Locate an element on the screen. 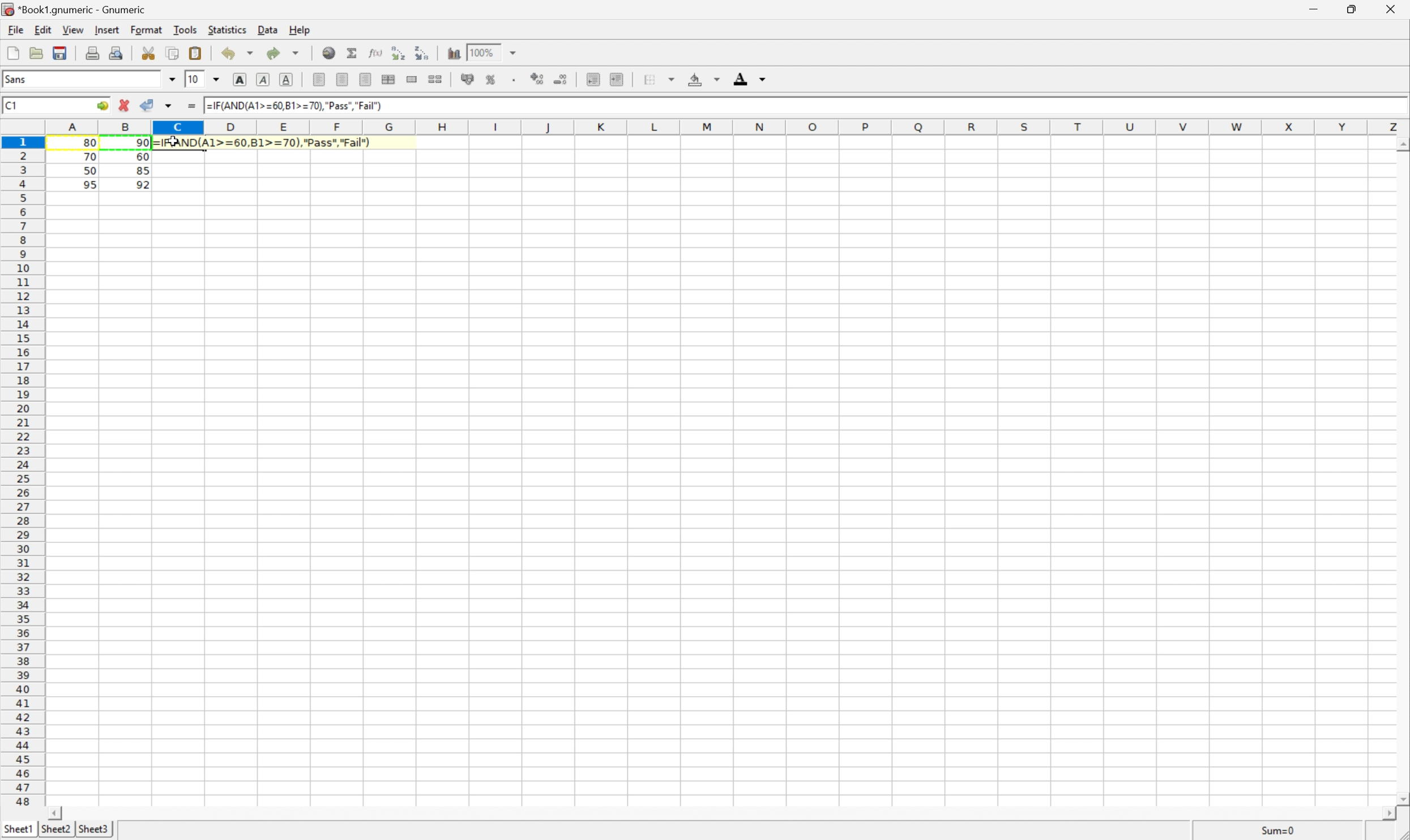  Scroll Down is located at coordinates (1401, 797).